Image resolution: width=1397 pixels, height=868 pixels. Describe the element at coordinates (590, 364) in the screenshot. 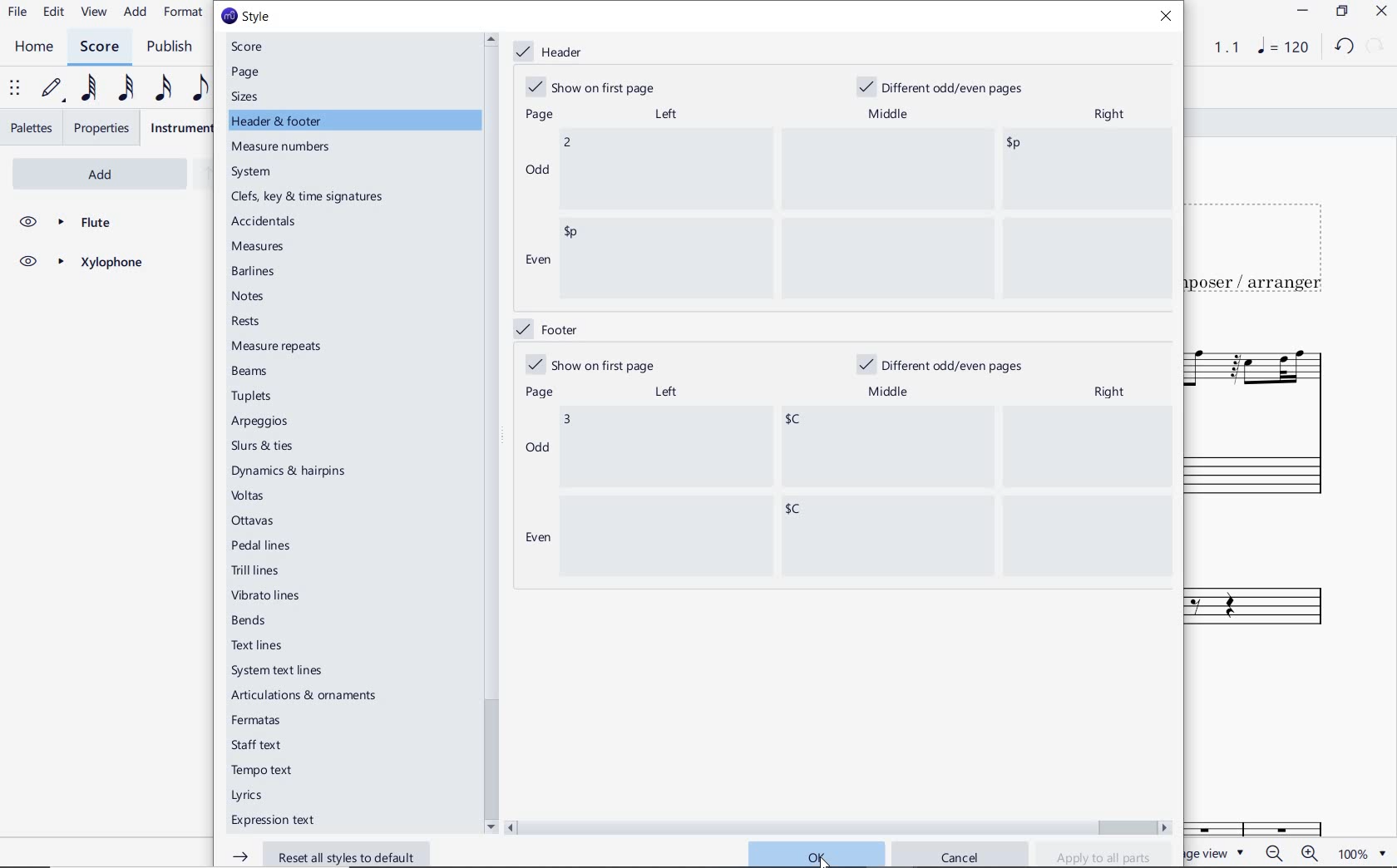

I see `show on first page` at that location.